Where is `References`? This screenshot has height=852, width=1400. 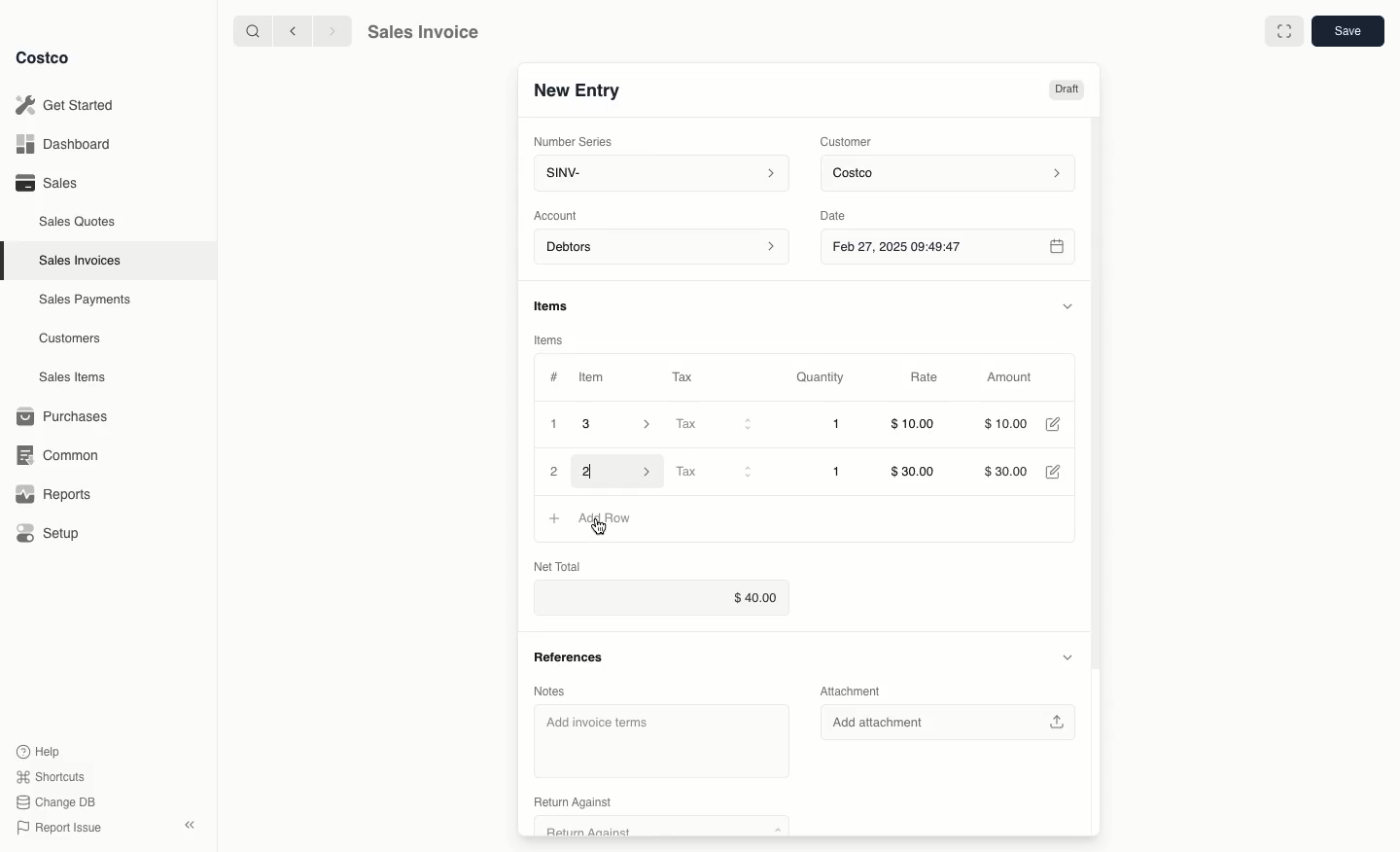
References is located at coordinates (575, 655).